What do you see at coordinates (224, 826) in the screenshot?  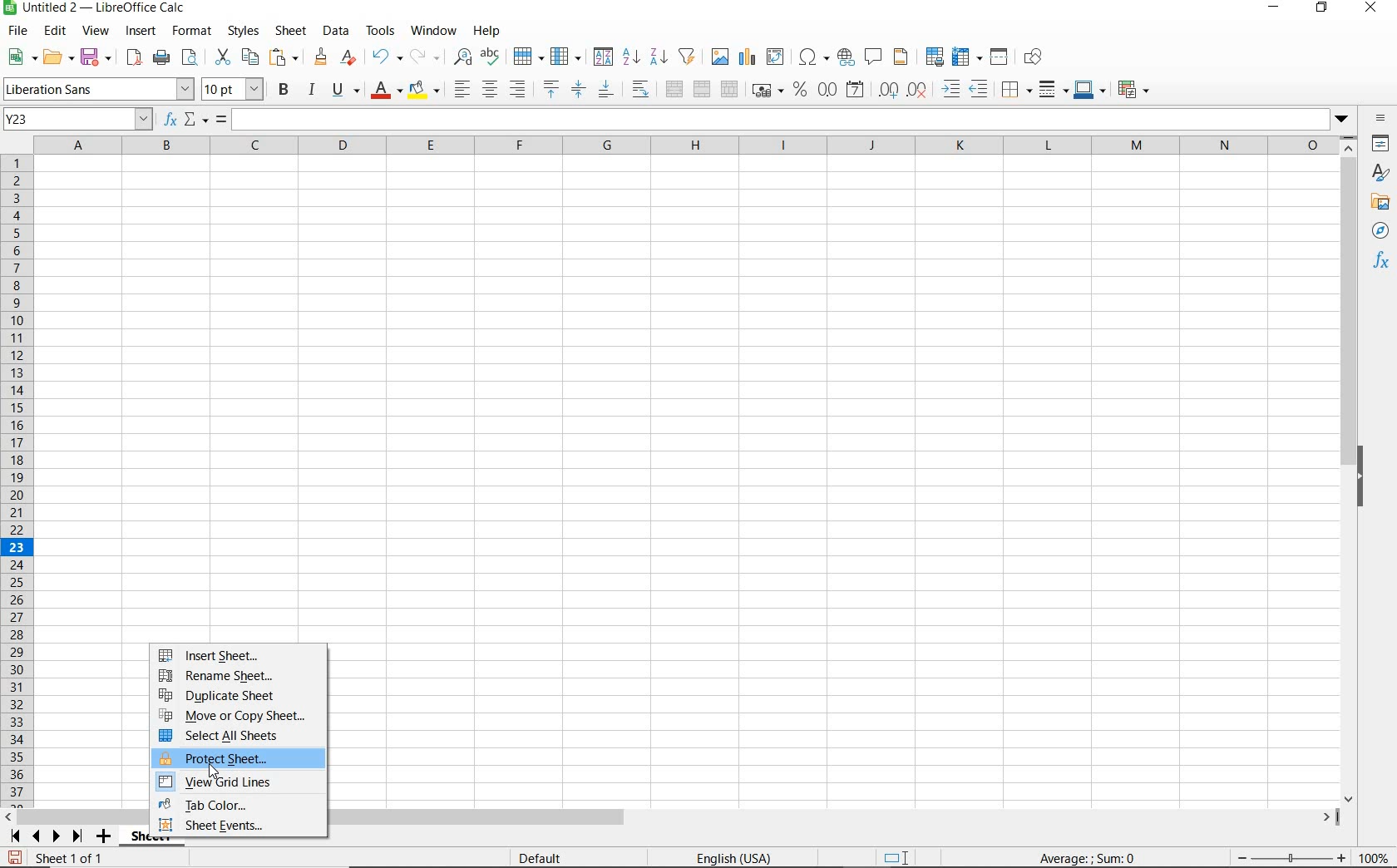 I see `SHEET EVENTS` at bounding box center [224, 826].